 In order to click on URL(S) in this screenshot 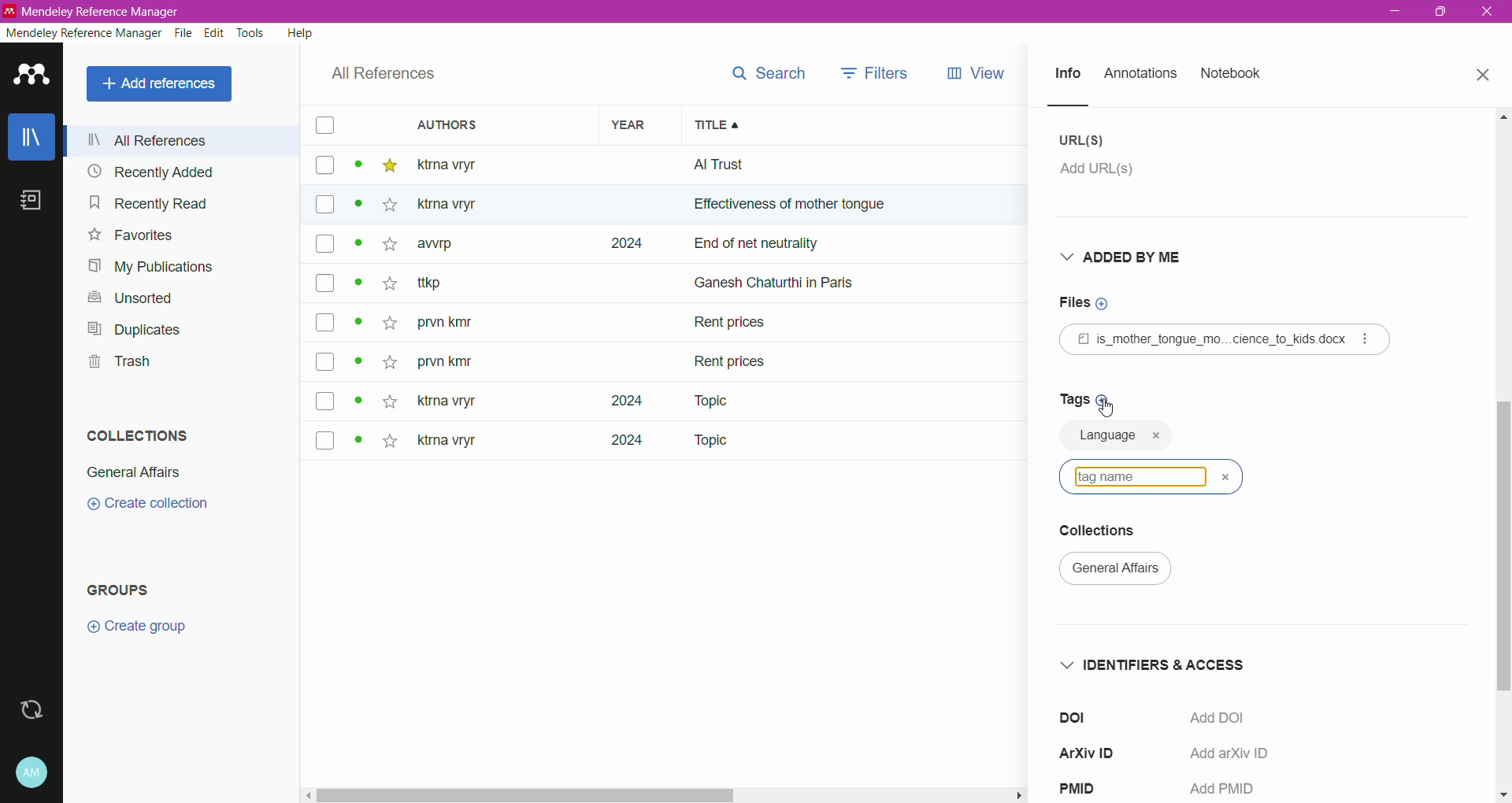, I will do `click(1084, 140)`.